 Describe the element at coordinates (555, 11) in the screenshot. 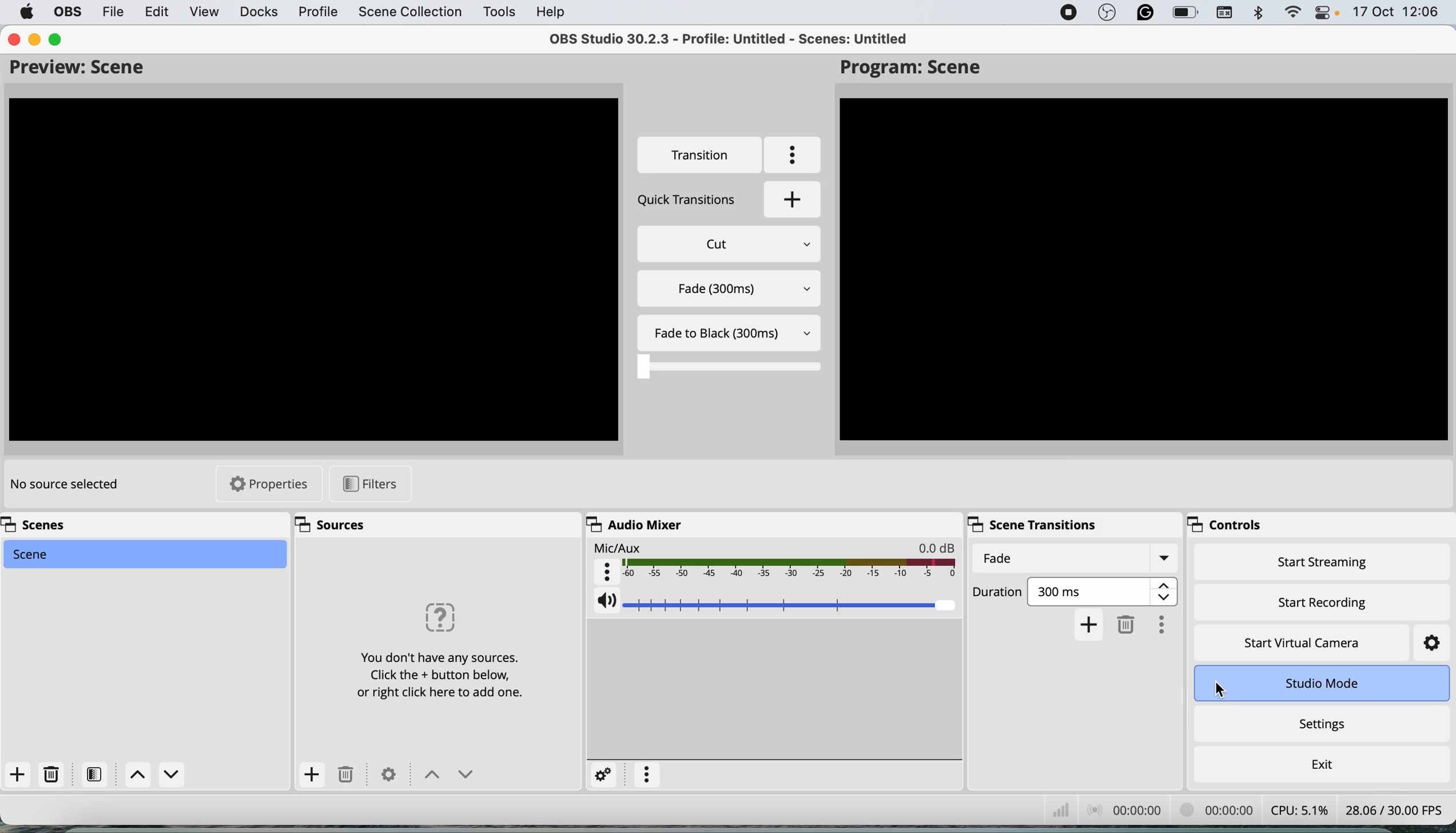

I see `help` at that location.